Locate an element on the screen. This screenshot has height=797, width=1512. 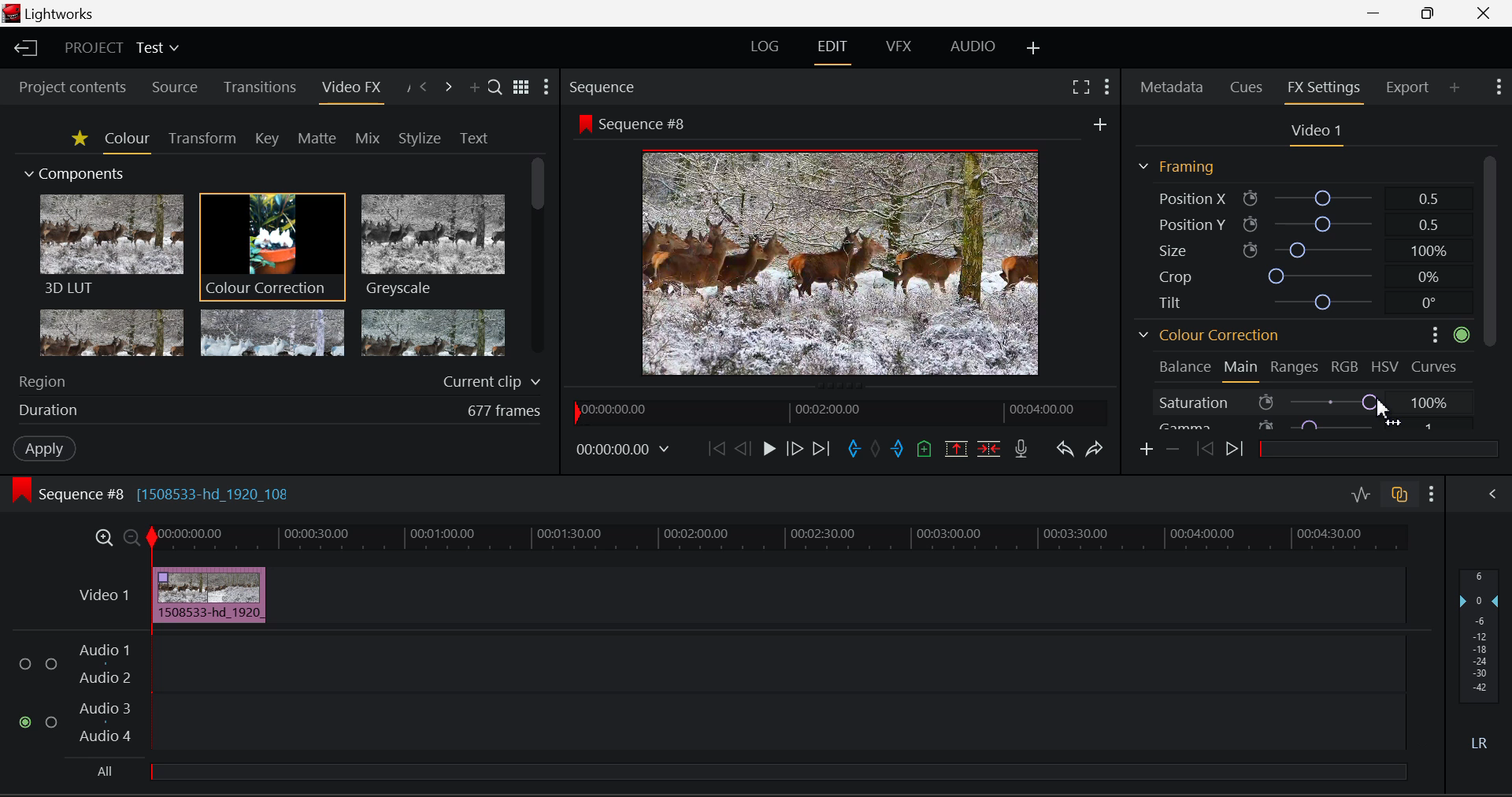
Audio 1 is located at coordinates (104, 651).